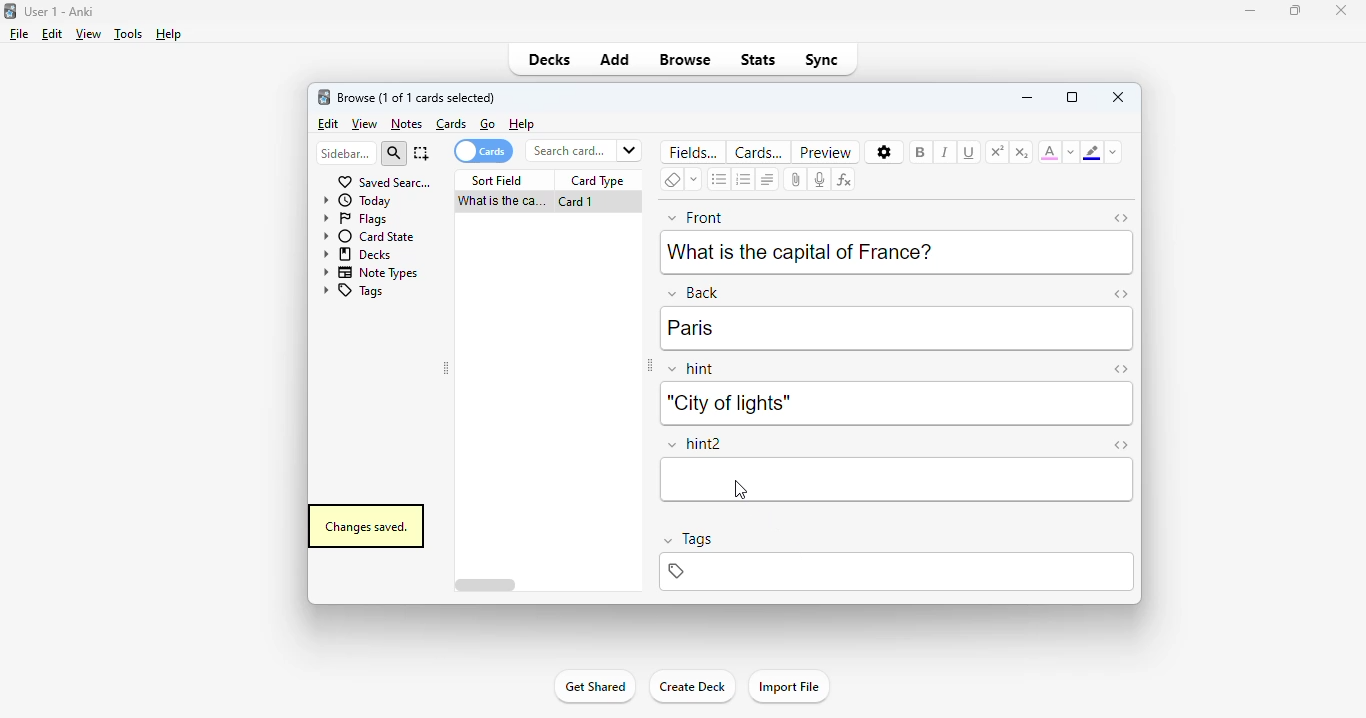  I want to click on text highlighting color, so click(1091, 152).